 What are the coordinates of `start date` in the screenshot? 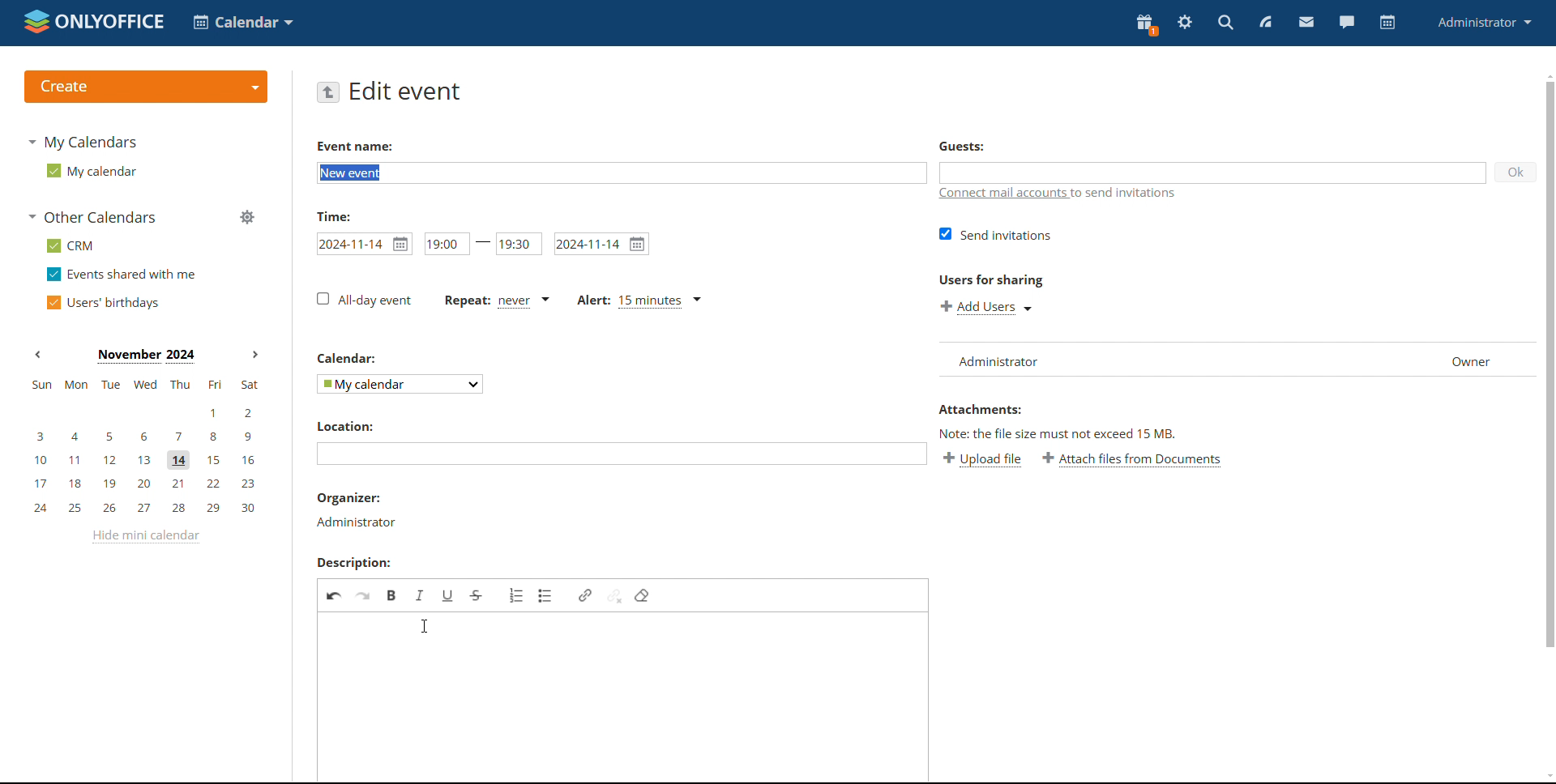 It's located at (363, 244).